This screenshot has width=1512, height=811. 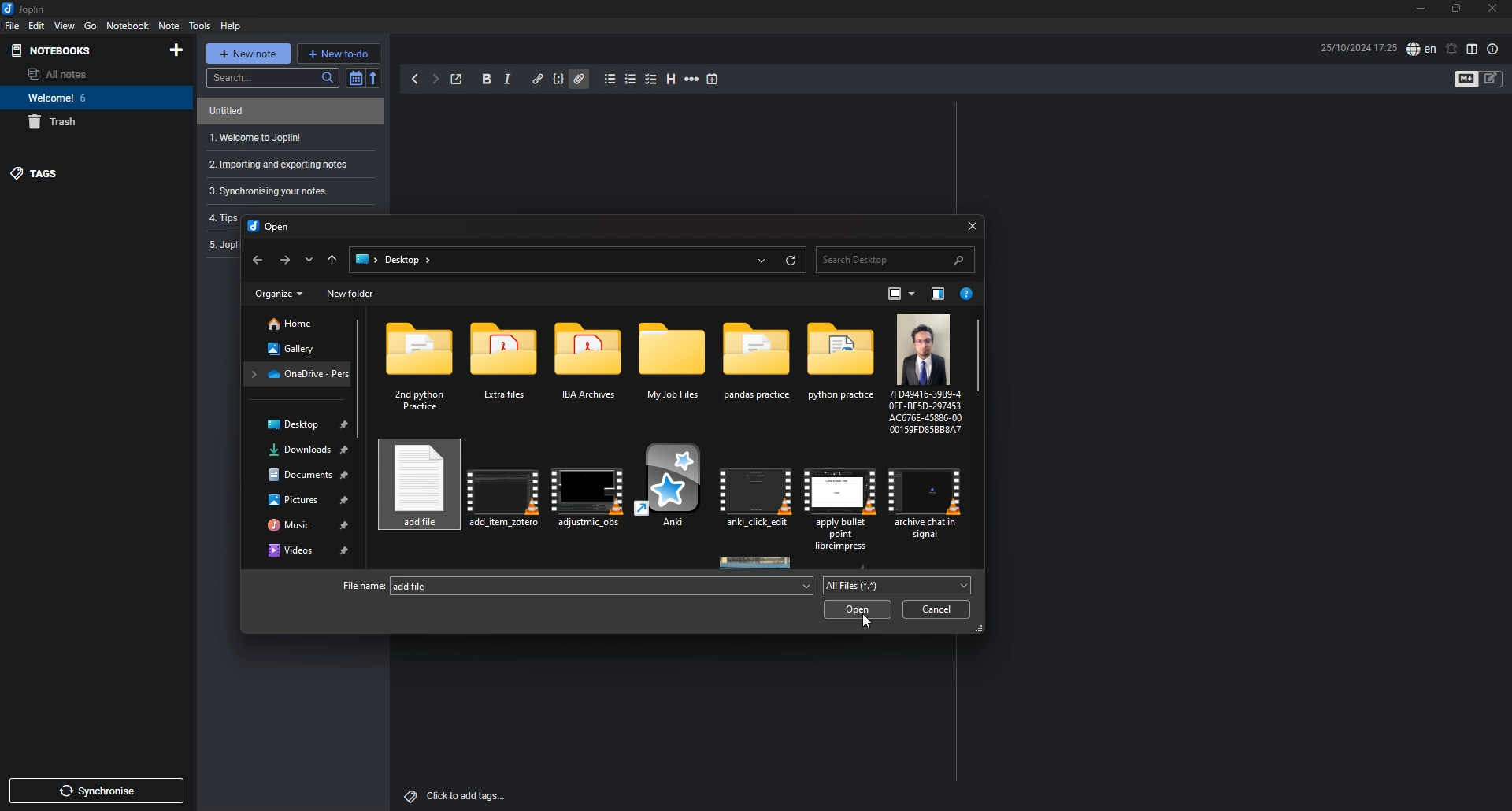 I want to click on cursor, so click(x=864, y=618).